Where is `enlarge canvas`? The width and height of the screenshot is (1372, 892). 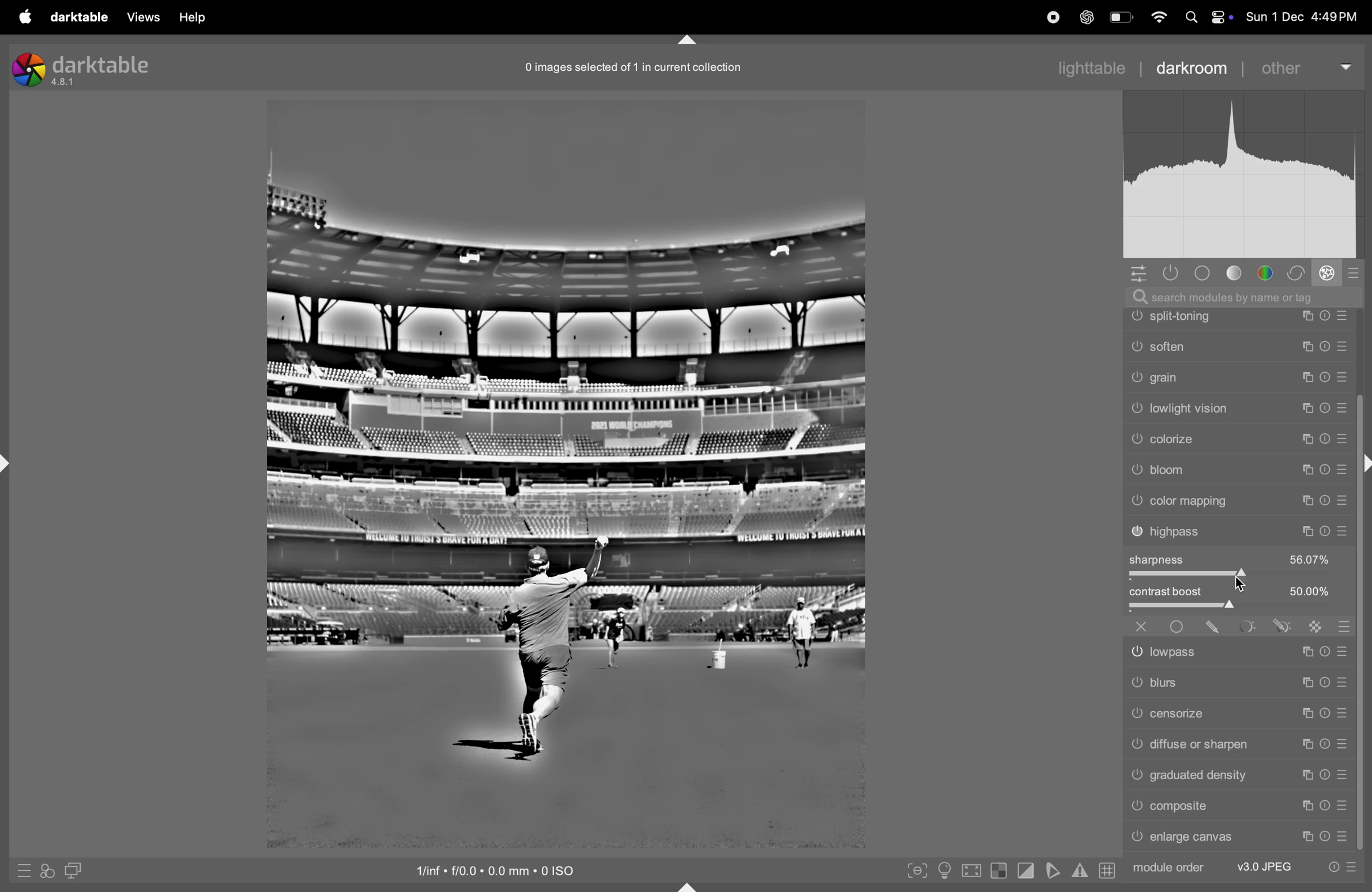
enlarge canvas is located at coordinates (1239, 838).